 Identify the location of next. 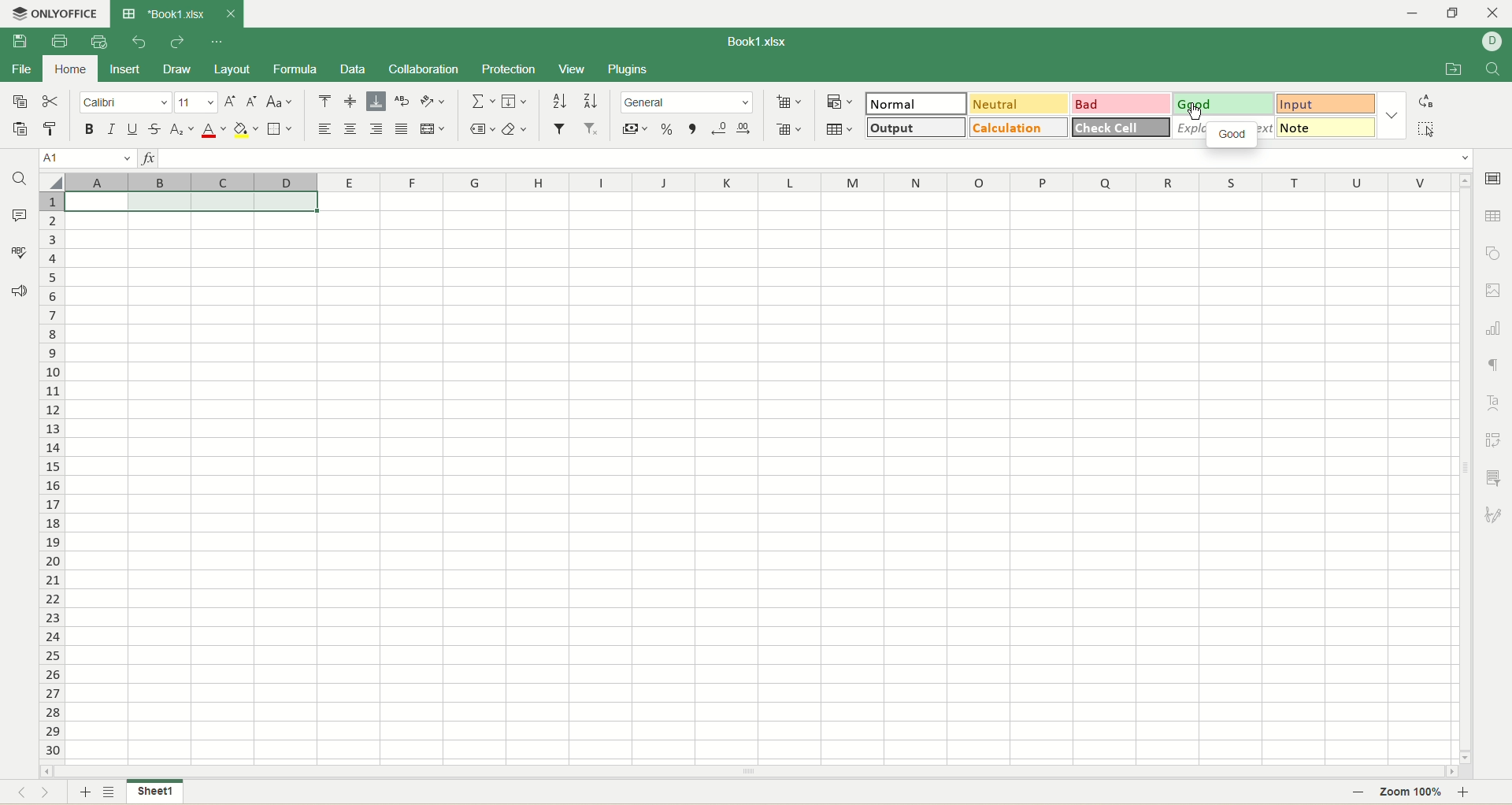
(53, 794).